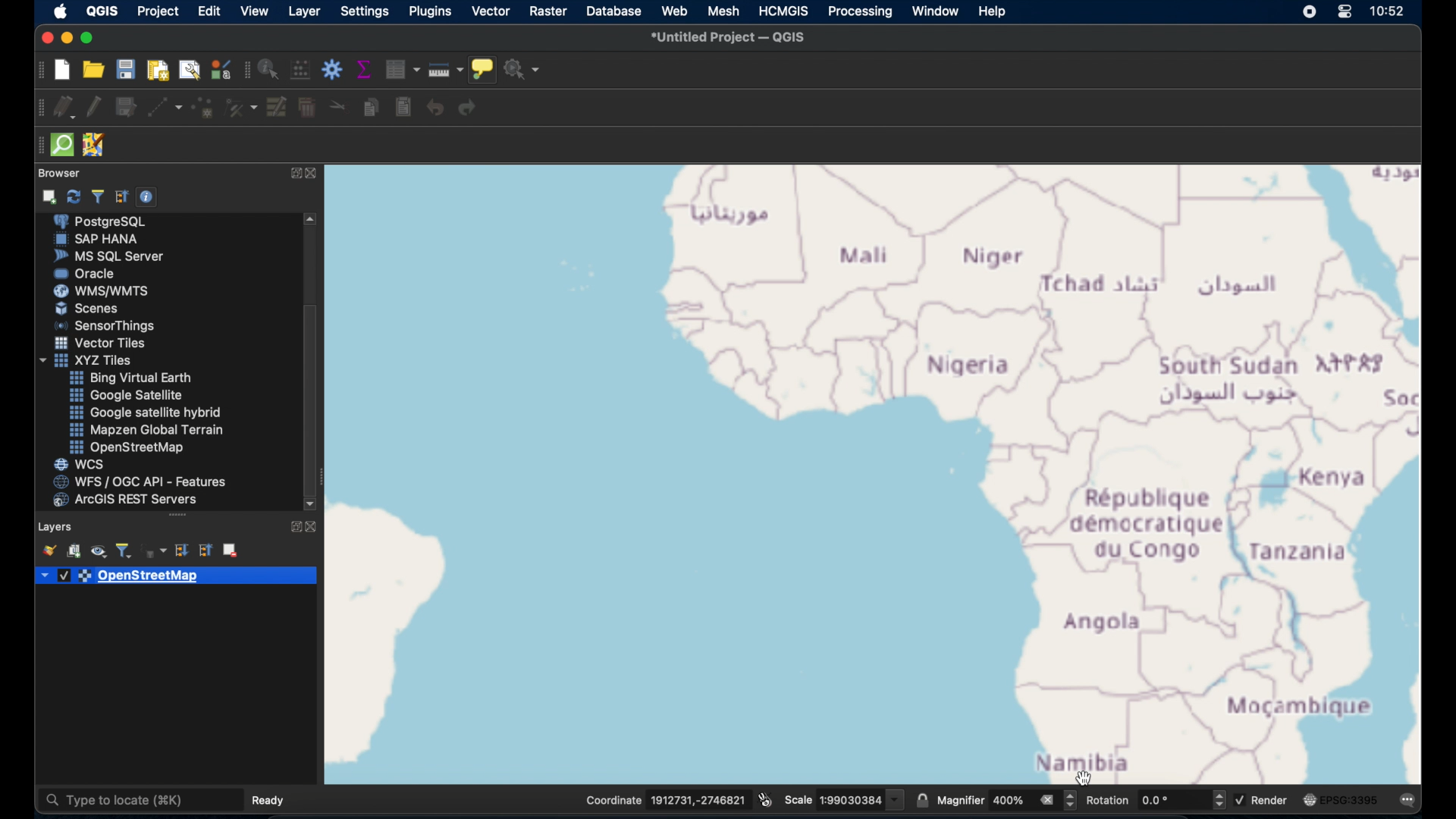  I want to click on raster, so click(548, 11).